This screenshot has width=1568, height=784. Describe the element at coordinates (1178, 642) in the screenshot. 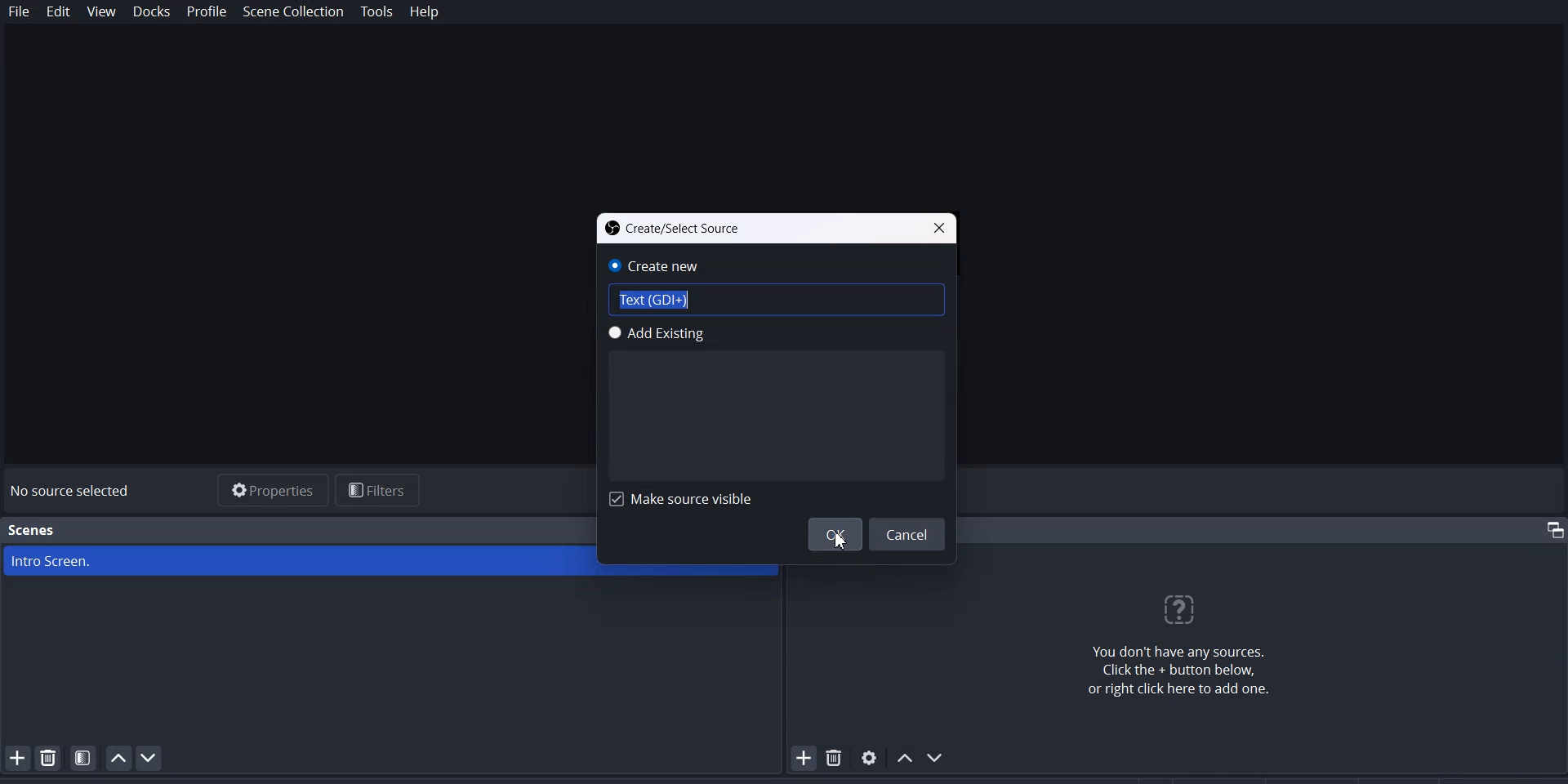

I see `You don't have any sources. Click the + button below, or right click here to add one.` at that location.